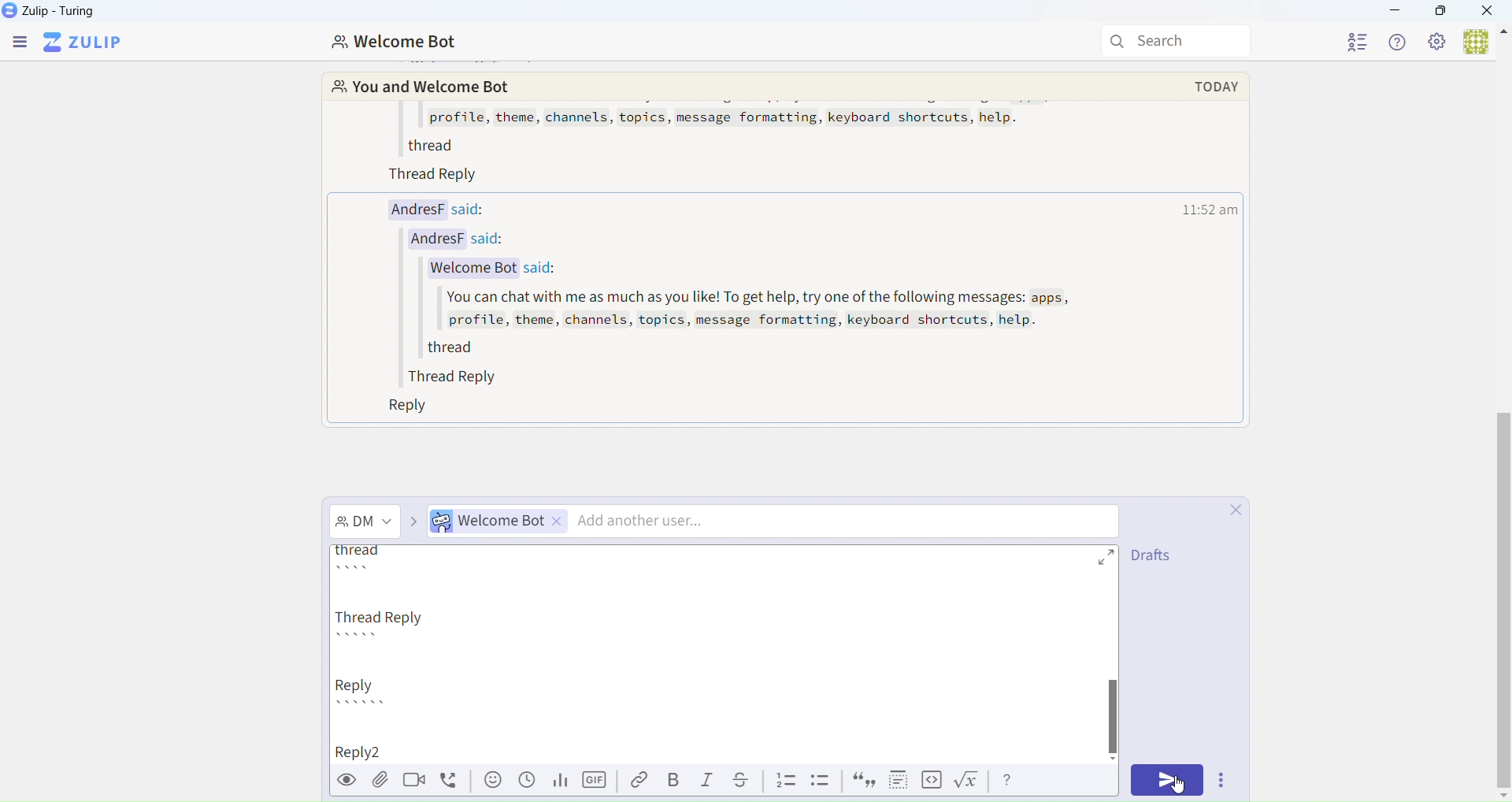 This screenshot has width=1512, height=802. What do you see at coordinates (1211, 208) in the screenshot?
I see `time` at bounding box center [1211, 208].